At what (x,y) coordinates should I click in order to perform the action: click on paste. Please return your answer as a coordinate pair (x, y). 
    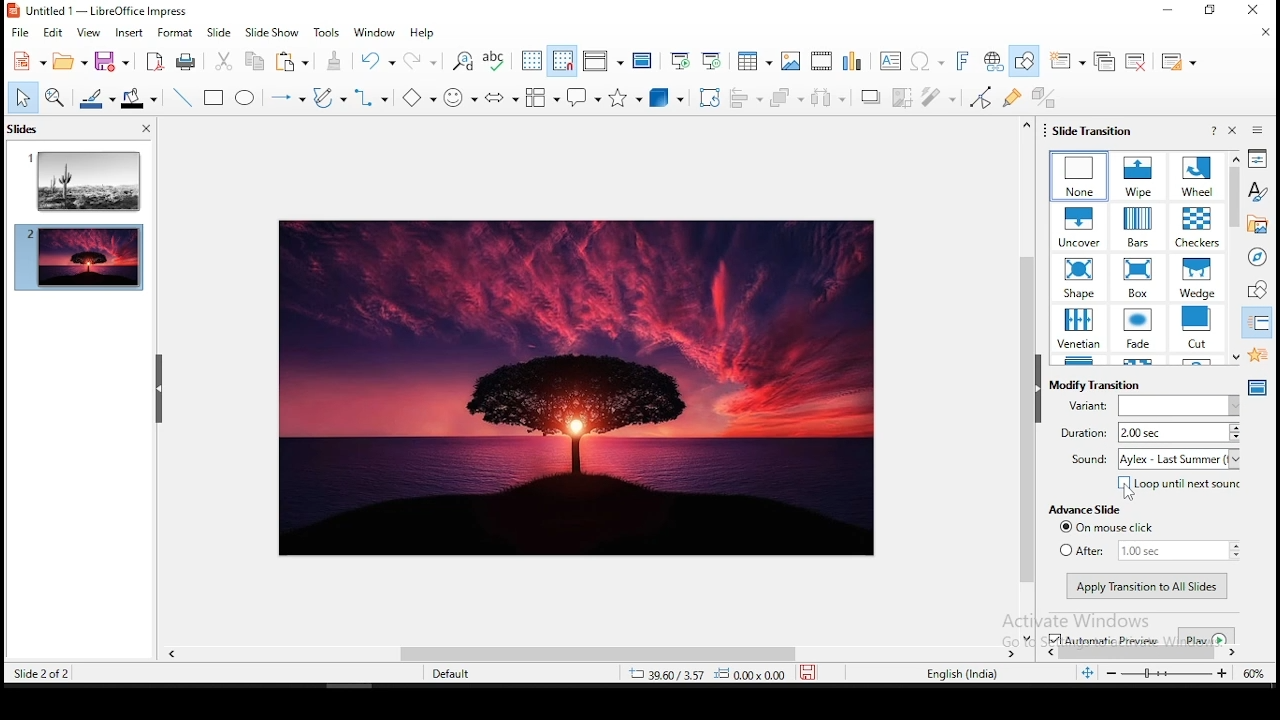
    Looking at the image, I should click on (339, 61).